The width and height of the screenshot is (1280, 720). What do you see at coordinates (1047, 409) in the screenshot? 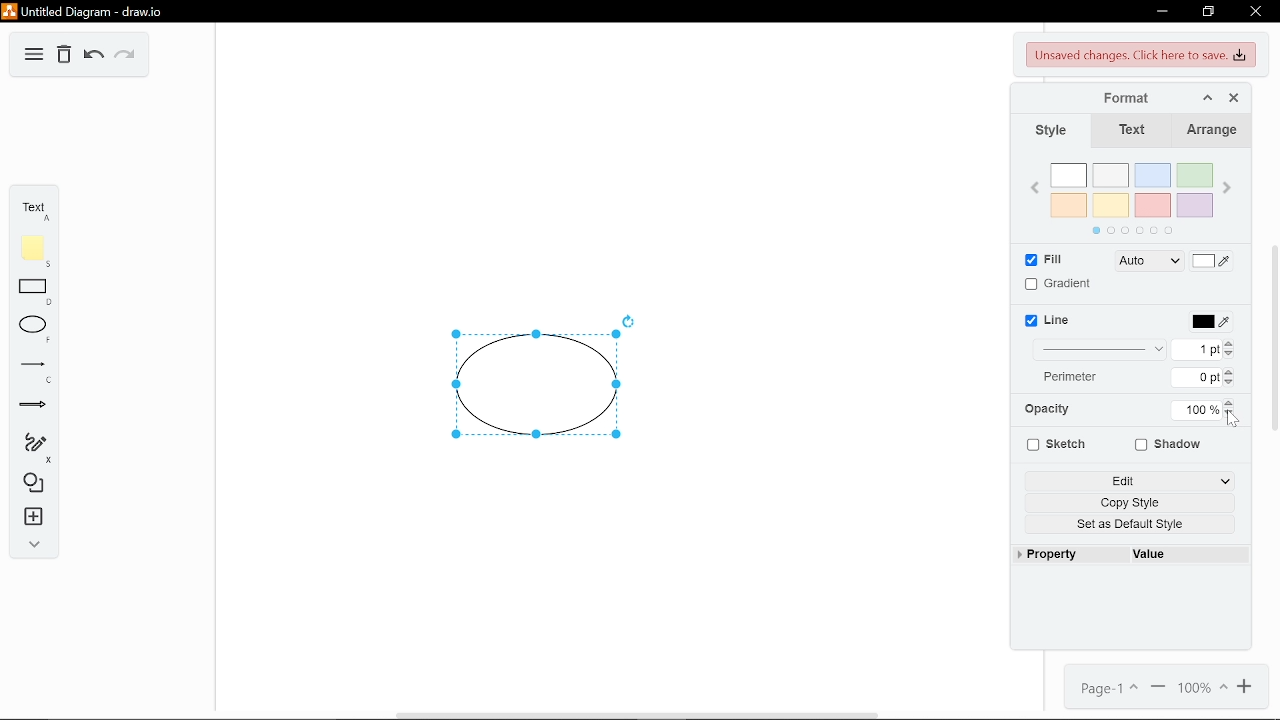
I see `Opacity` at bounding box center [1047, 409].